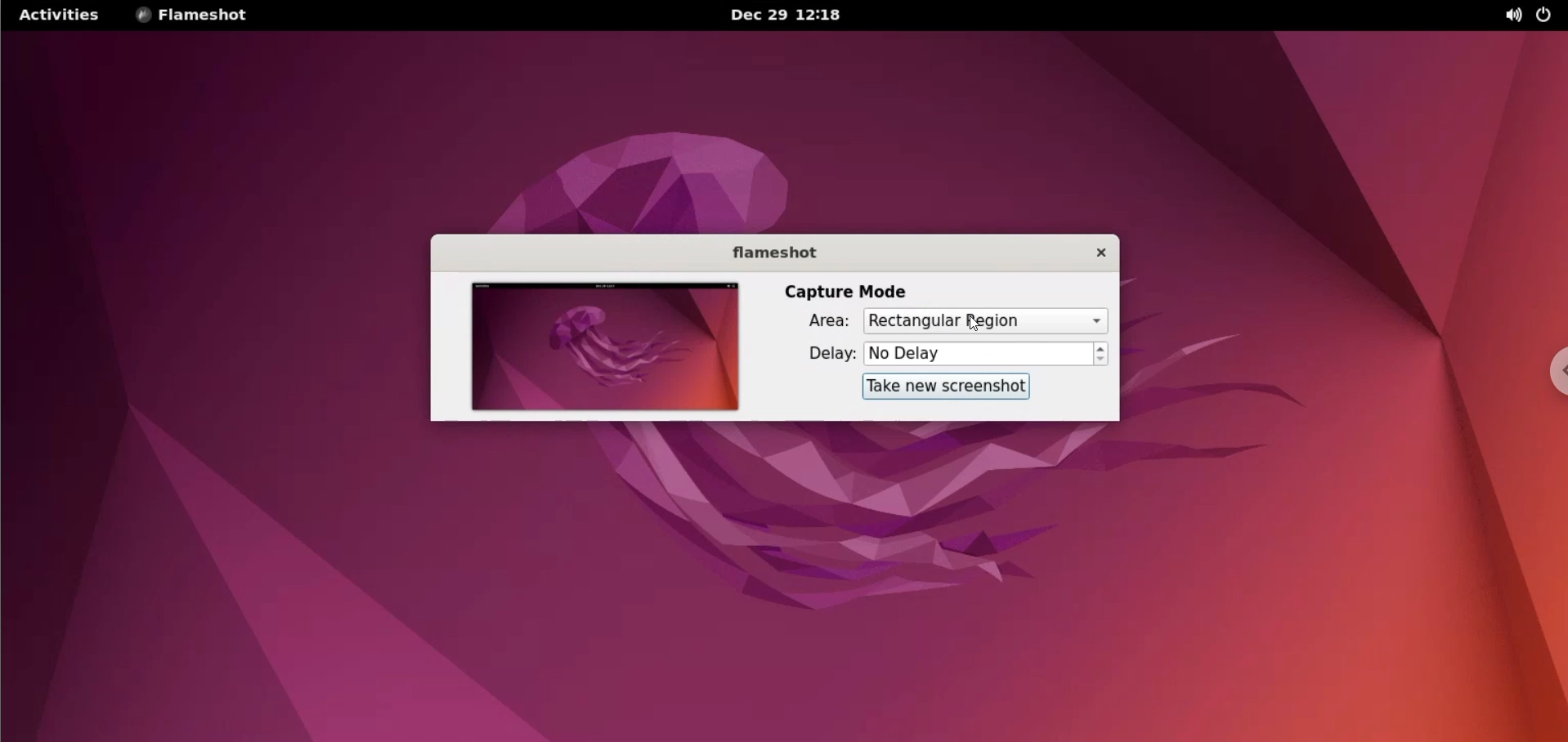 This screenshot has width=1568, height=742. What do you see at coordinates (1551, 16) in the screenshot?
I see `power options` at bounding box center [1551, 16].